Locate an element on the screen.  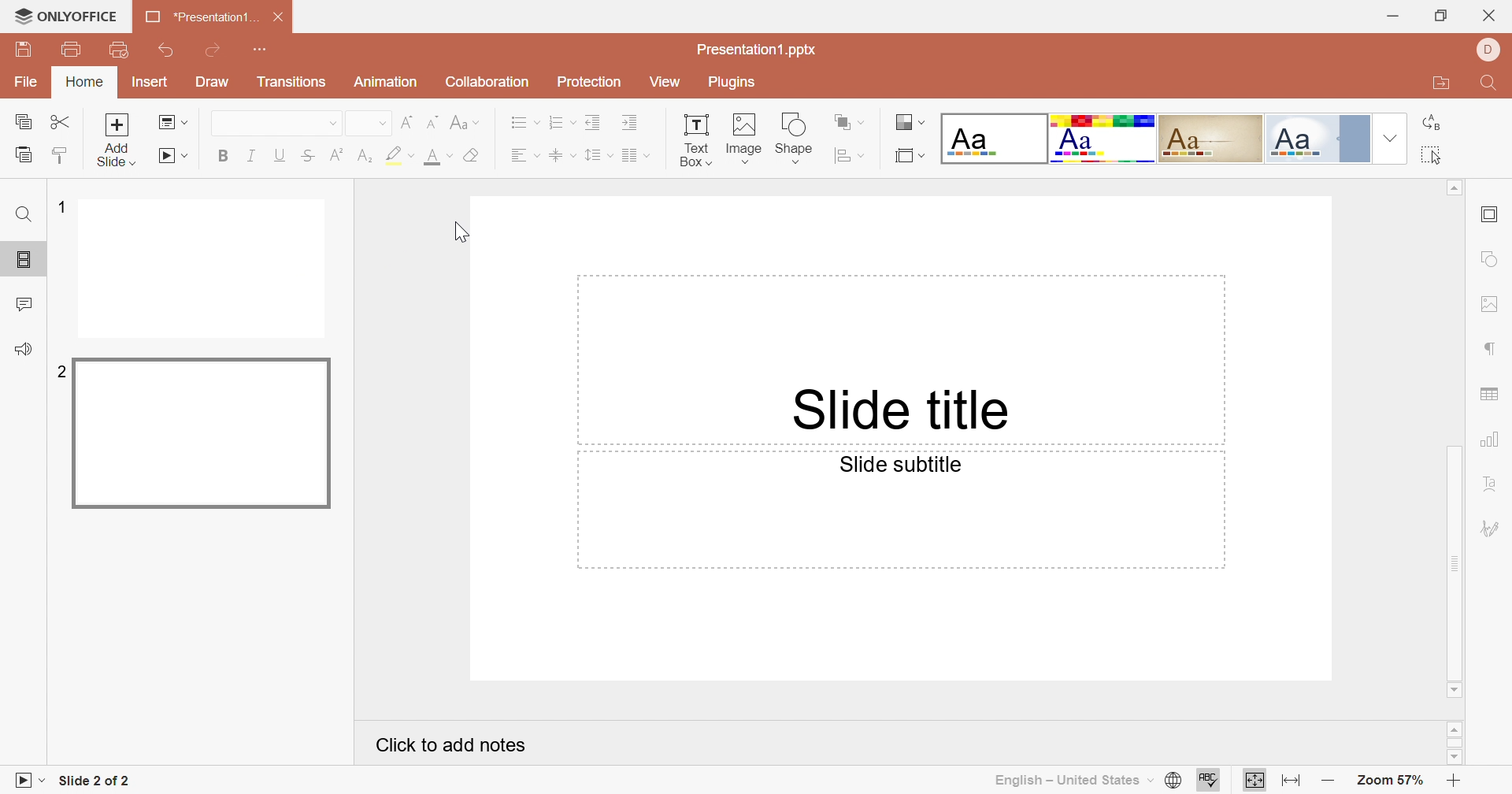
Collaboration is located at coordinates (486, 83).